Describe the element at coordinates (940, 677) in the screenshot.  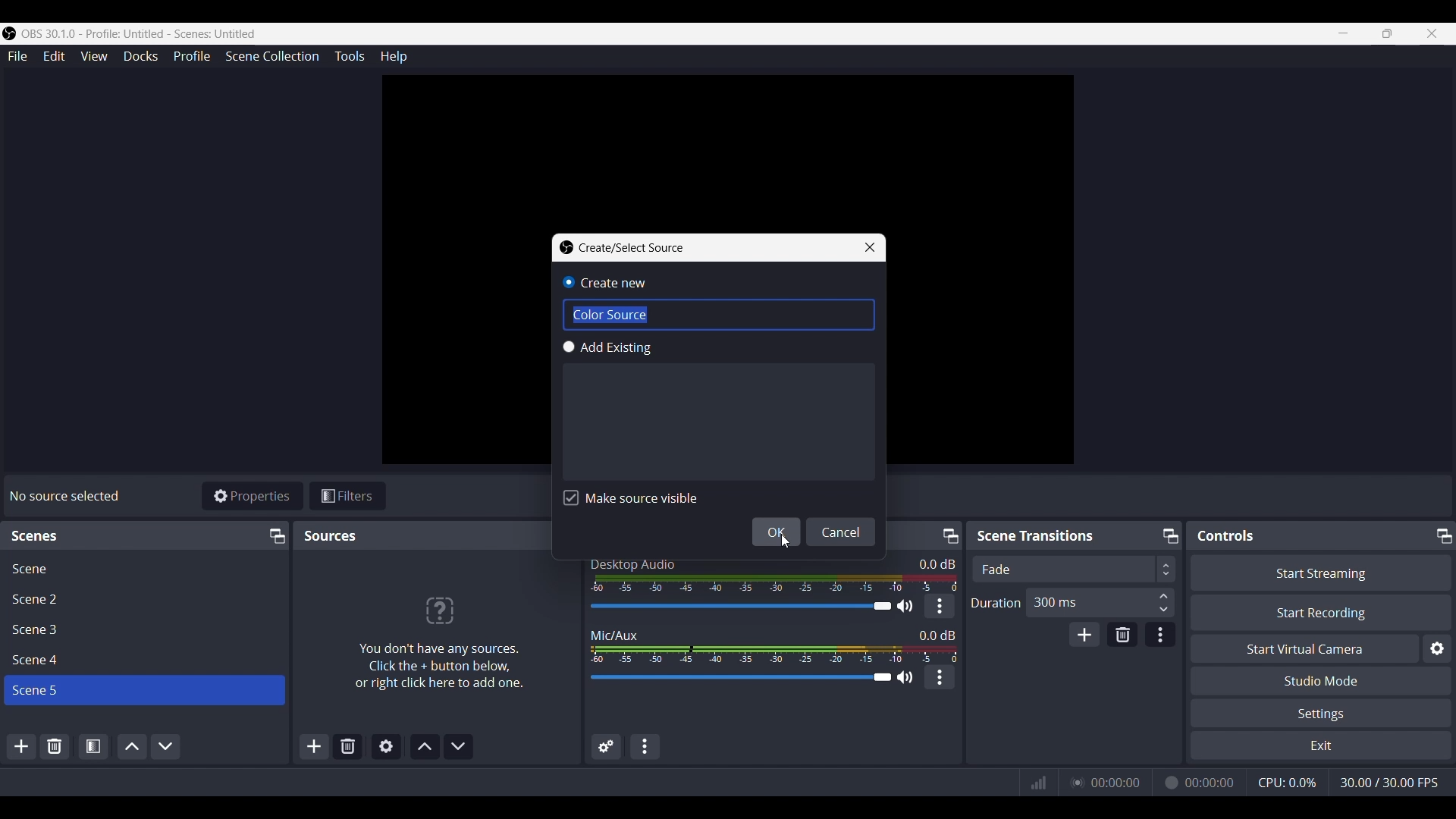
I see `More` at that location.